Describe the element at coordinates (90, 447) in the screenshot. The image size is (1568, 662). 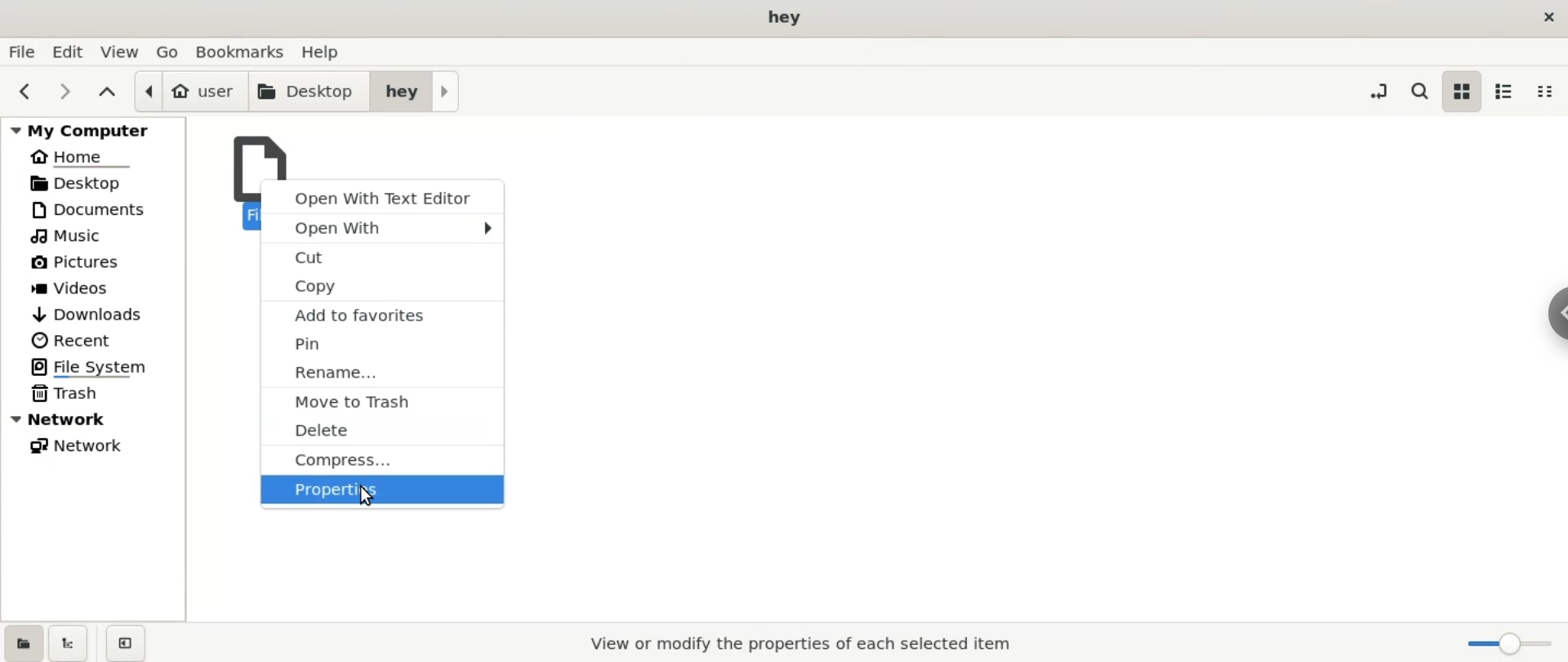
I see `network` at that location.